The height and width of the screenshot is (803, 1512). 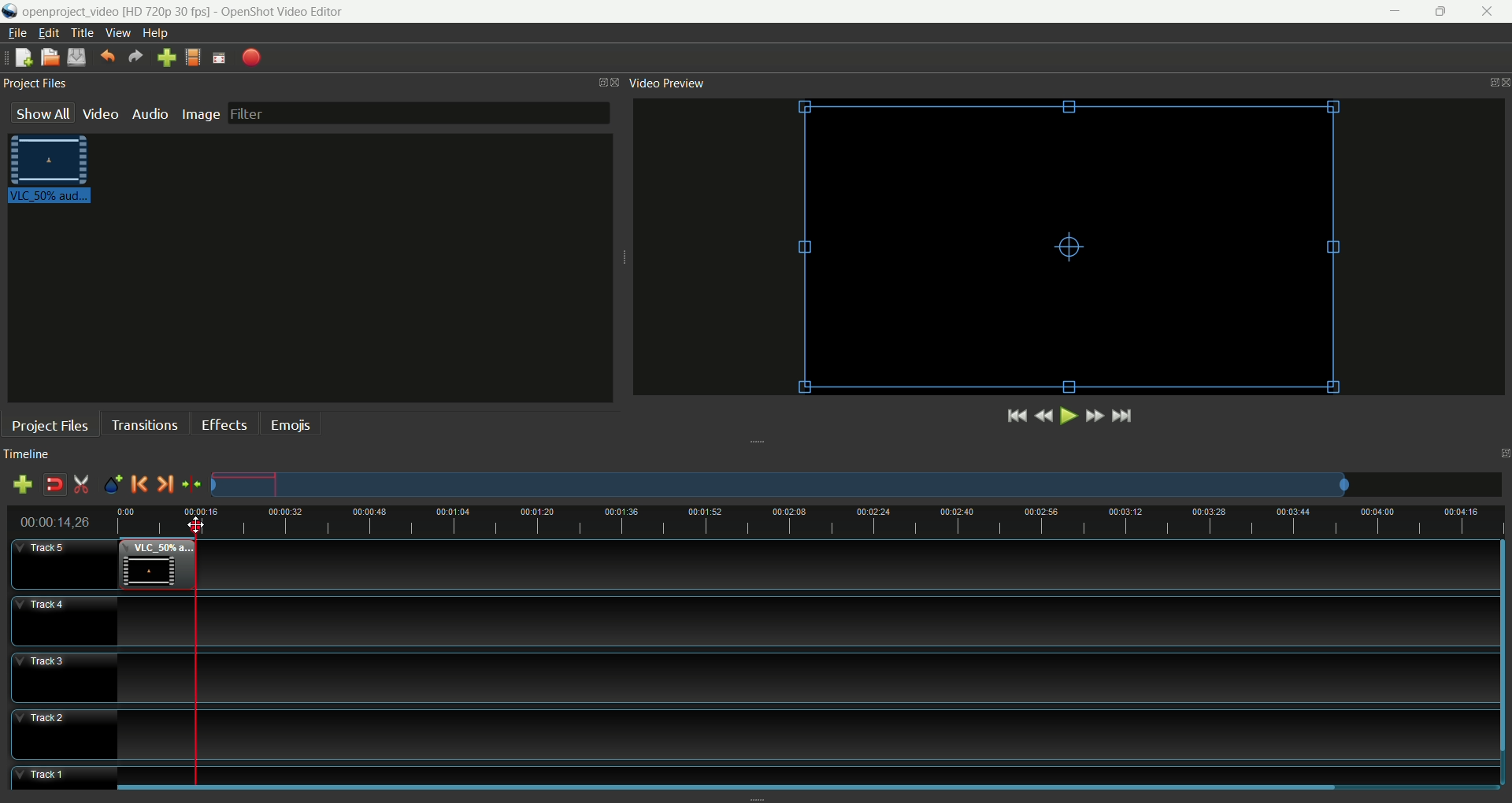 What do you see at coordinates (201, 112) in the screenshot?
I see `image` at bounding box center [201, 112].